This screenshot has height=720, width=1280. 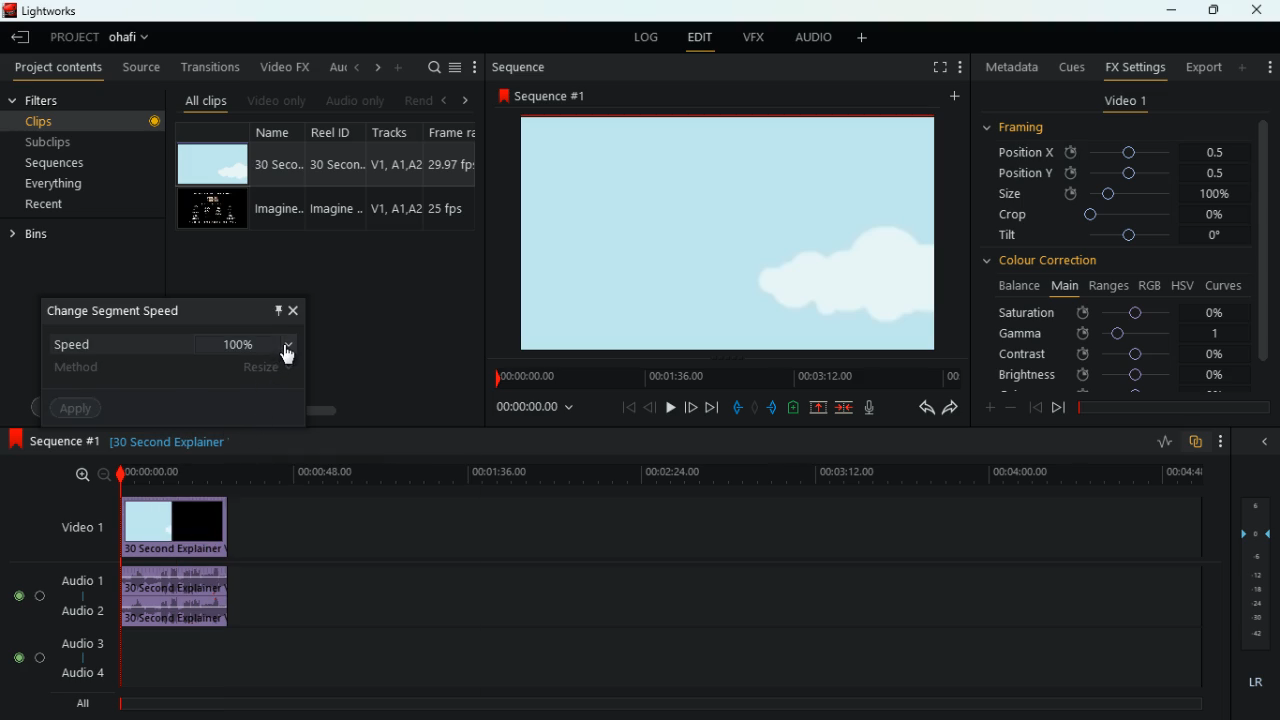 What do you see at coordinates (206, 67) in the screenshot?
I see `transitions` at bounding box center [206, 67].